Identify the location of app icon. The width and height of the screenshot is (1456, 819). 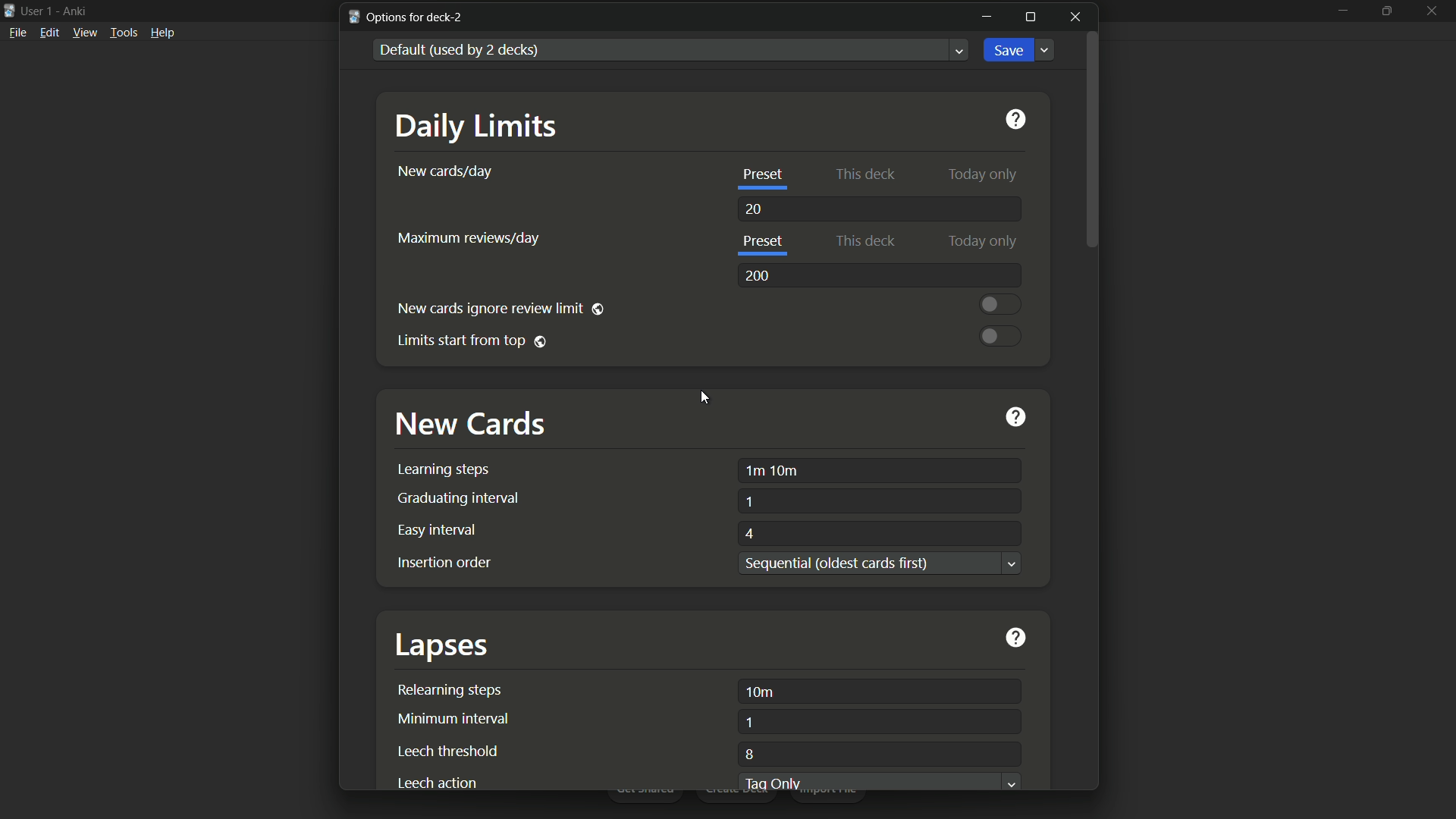
(9, 10).